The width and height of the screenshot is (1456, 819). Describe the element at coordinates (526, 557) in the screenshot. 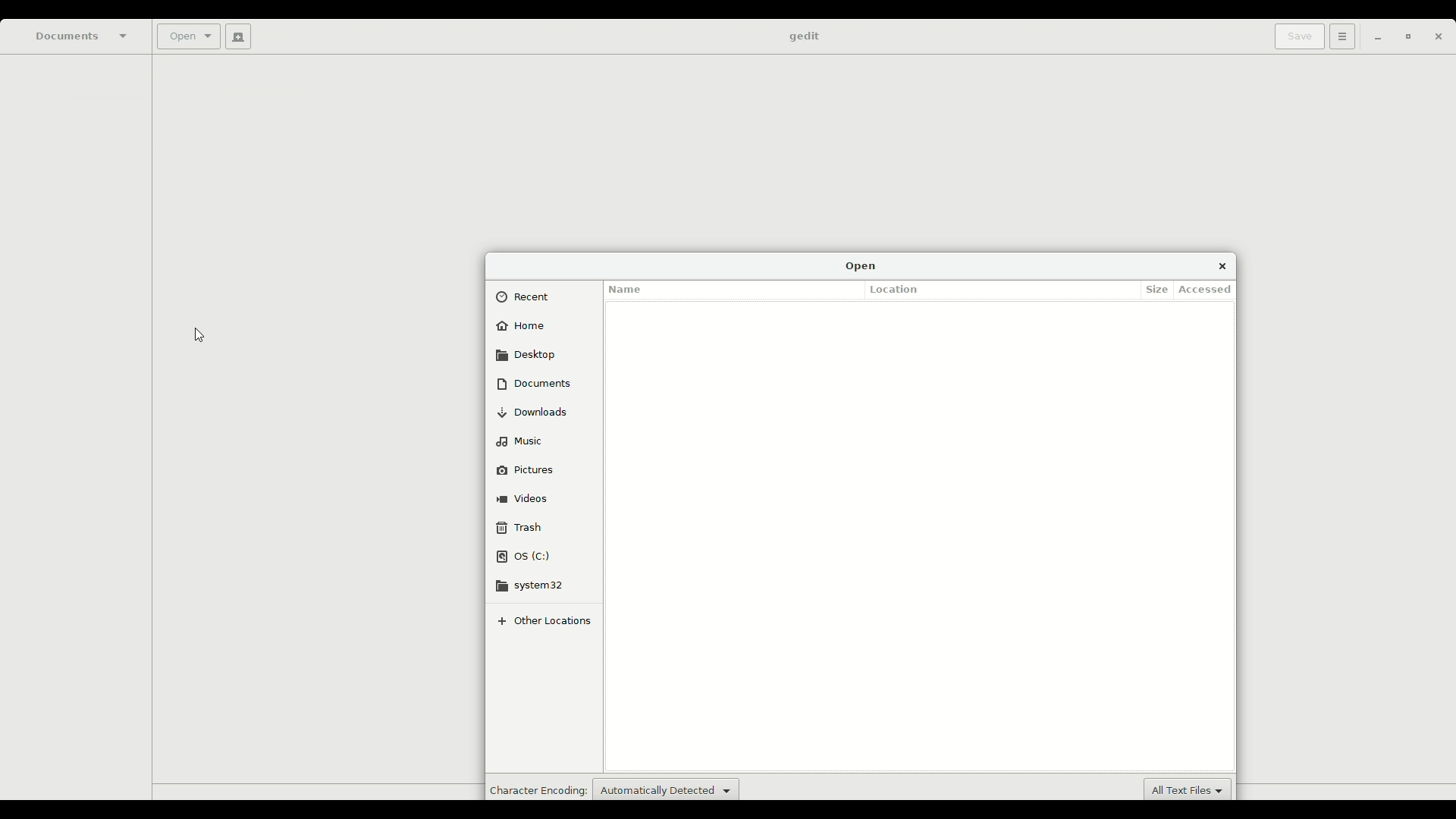

I see `OS` at that location.